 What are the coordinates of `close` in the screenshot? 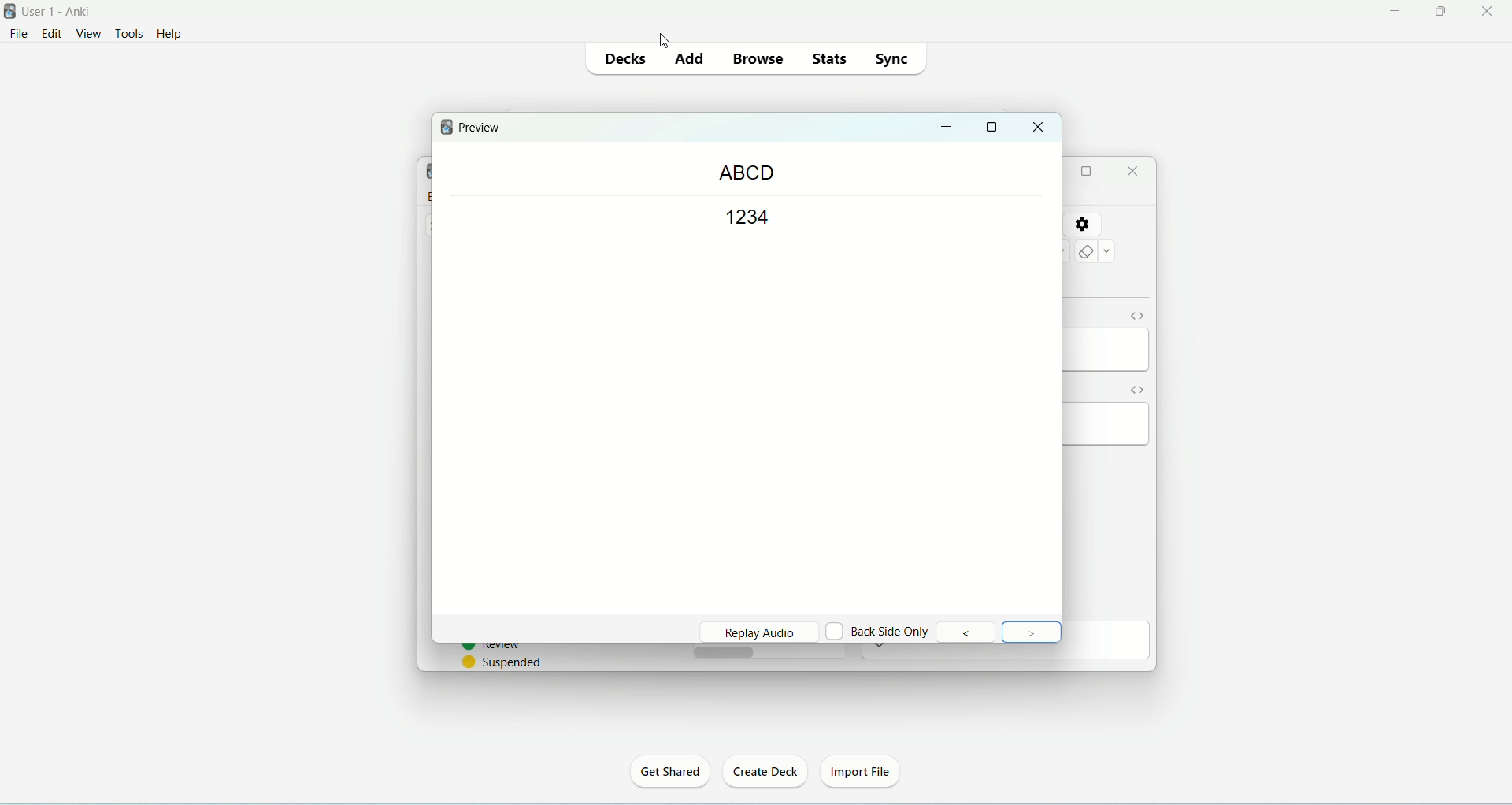 It's located at (1038, 128).